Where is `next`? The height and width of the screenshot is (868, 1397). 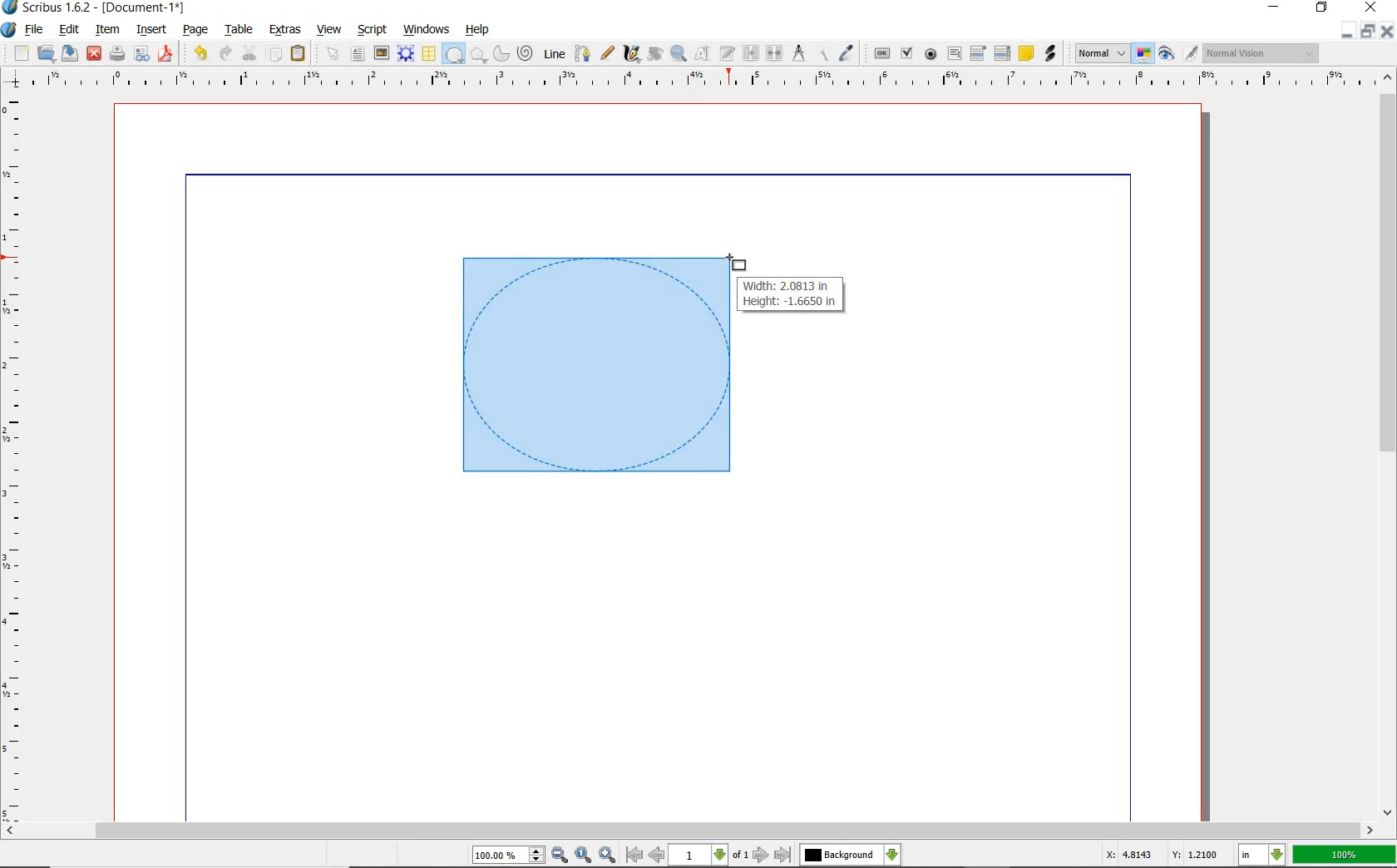
next is located at coordinates (761, 855).